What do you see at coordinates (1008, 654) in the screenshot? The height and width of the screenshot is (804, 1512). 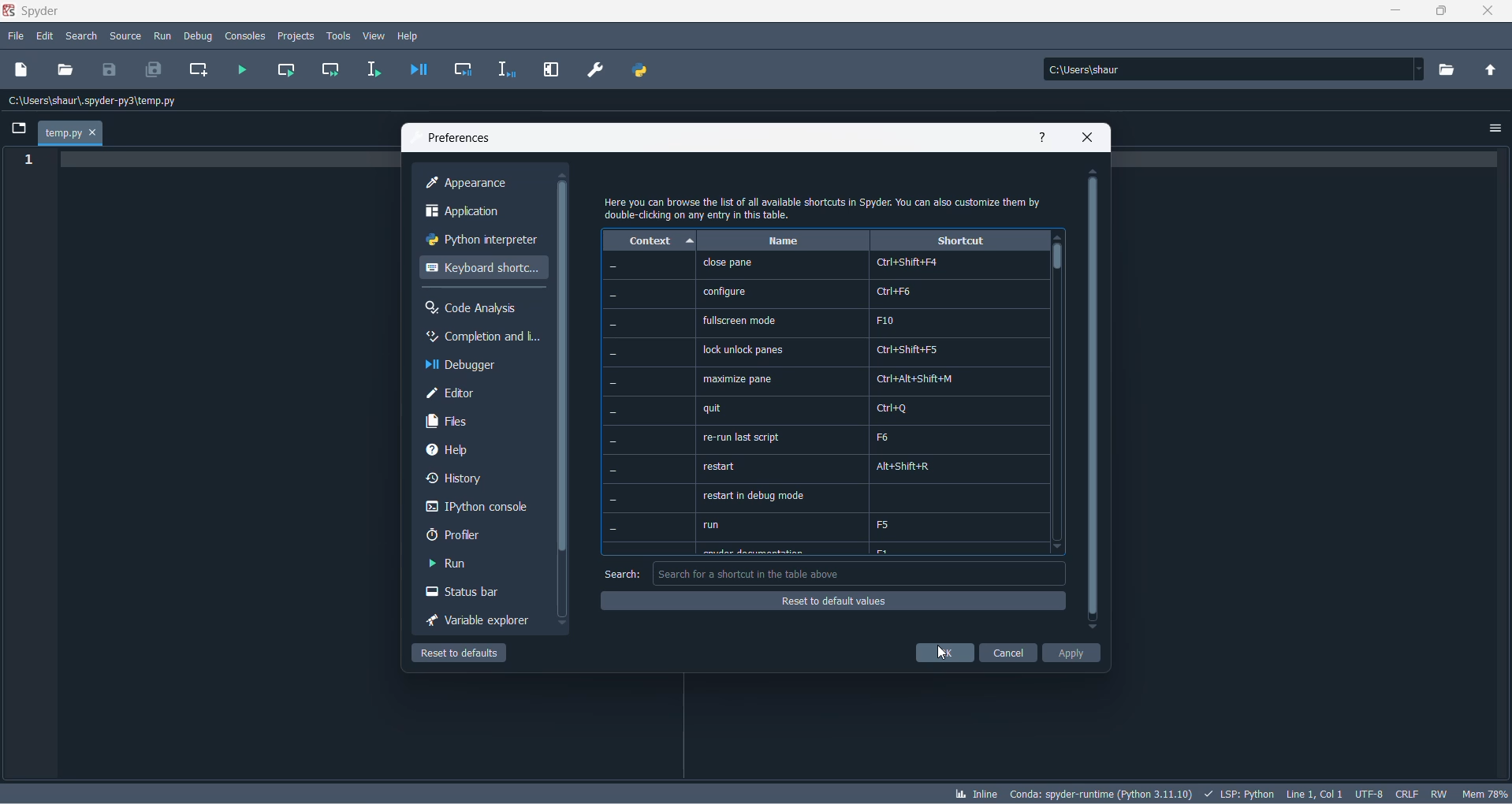 I see `cancel` at bounding box center [1008, 654].